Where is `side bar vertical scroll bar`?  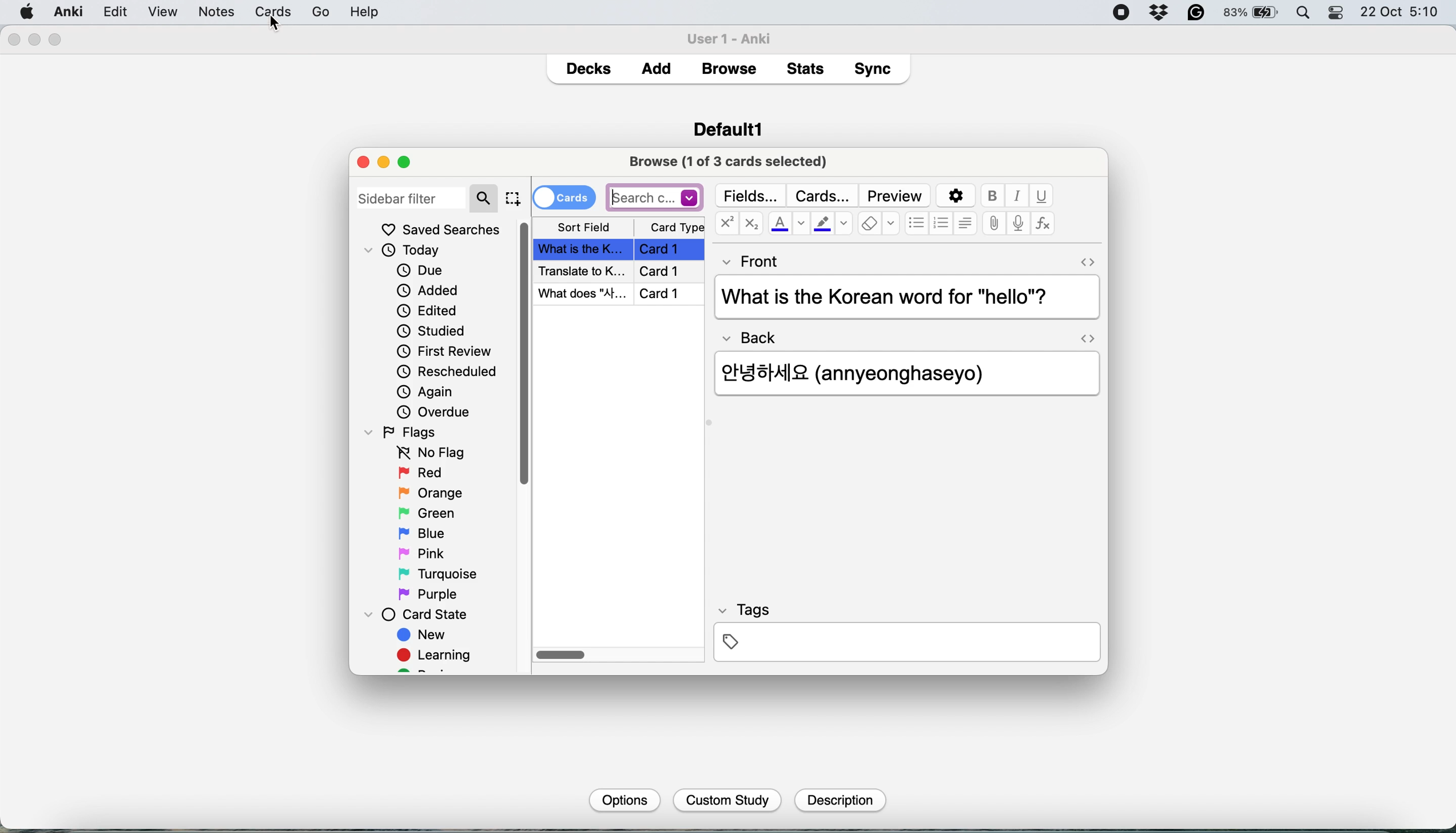 side bar vertical scroll bar is located at coordinates (526, 354).